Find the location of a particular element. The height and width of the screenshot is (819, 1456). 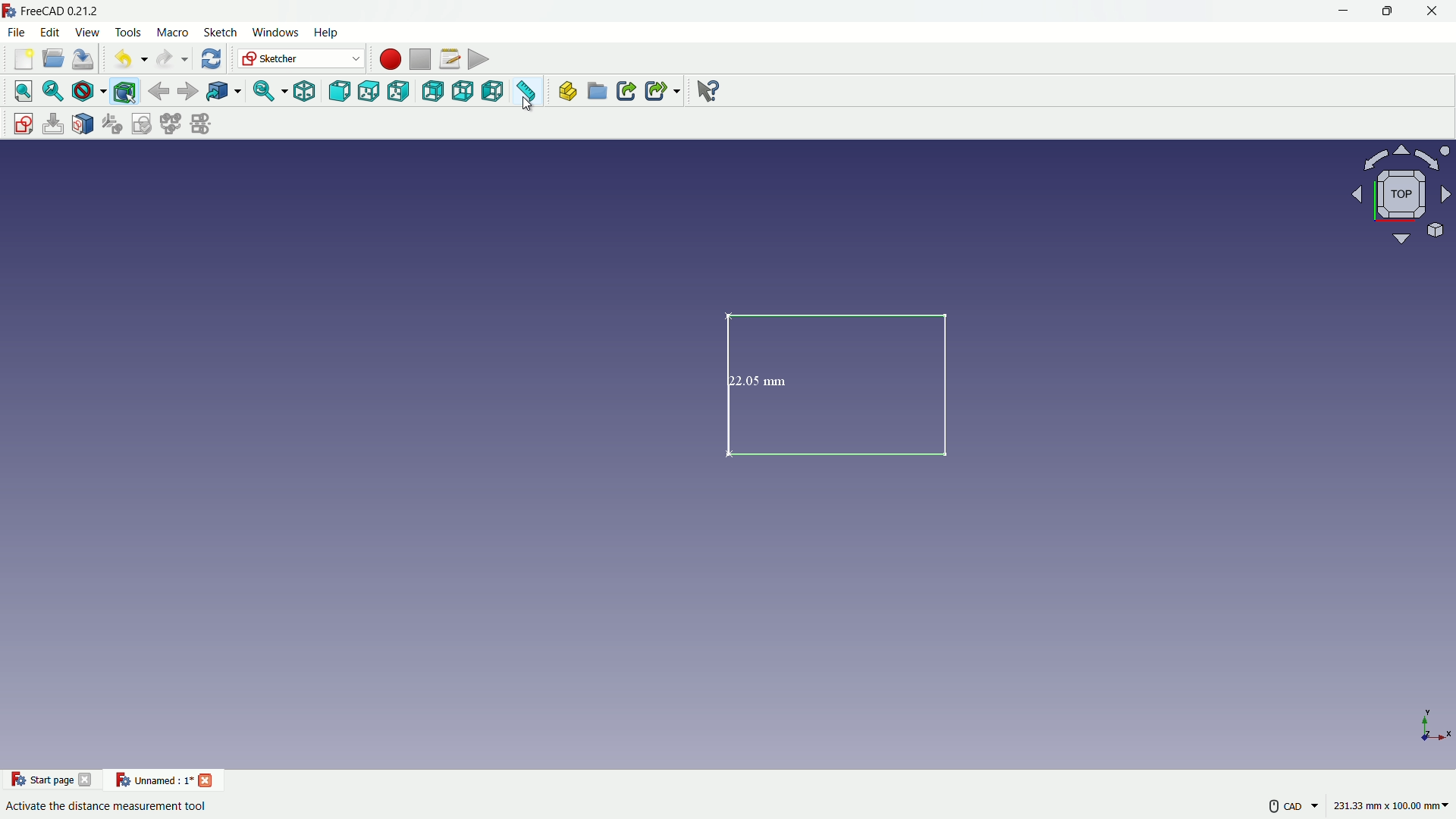

fit selection is located at coordinates (52, 91).